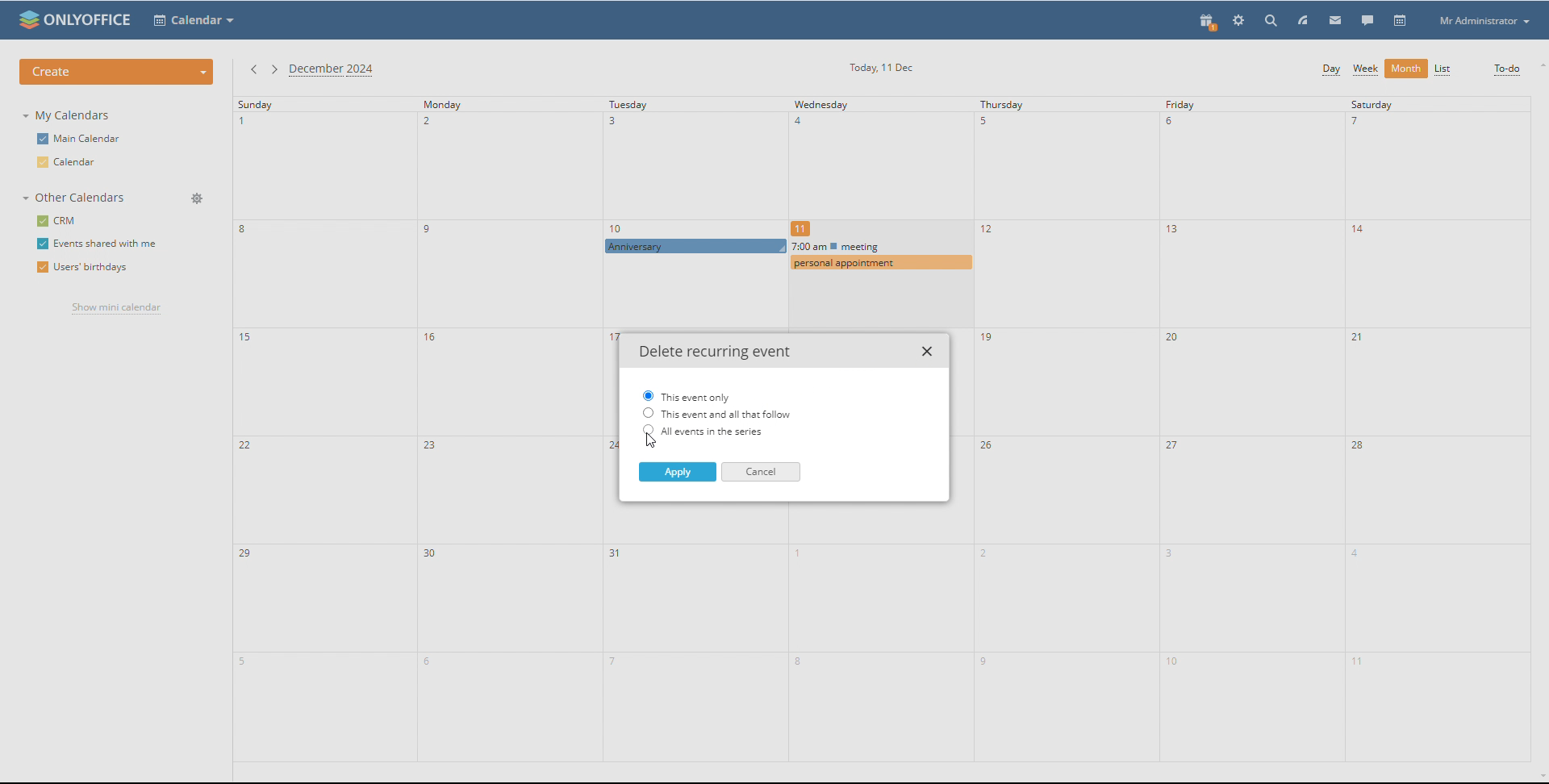  What do you see at coordinates (880, 68) in the screenshot?
I see `current date` at bounding box center [880, 68].